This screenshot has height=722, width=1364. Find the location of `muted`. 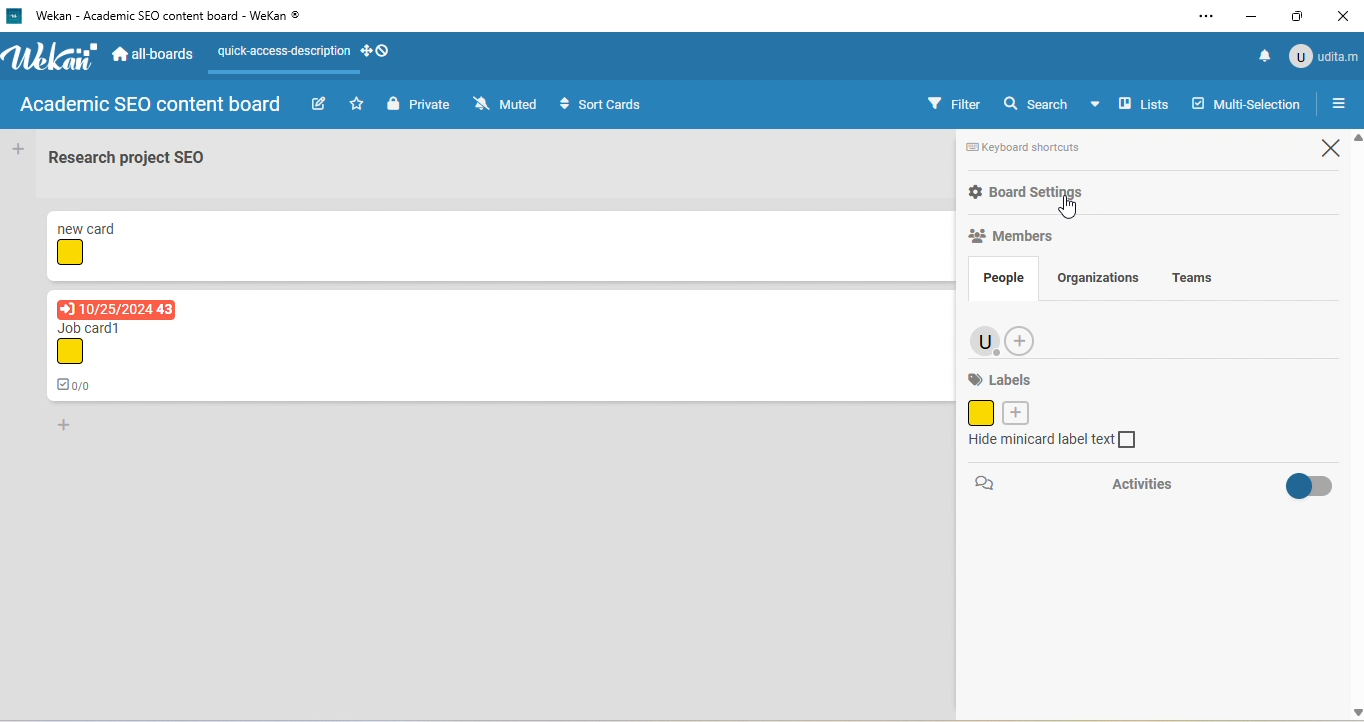

muted is located at coordinates (505, 103).